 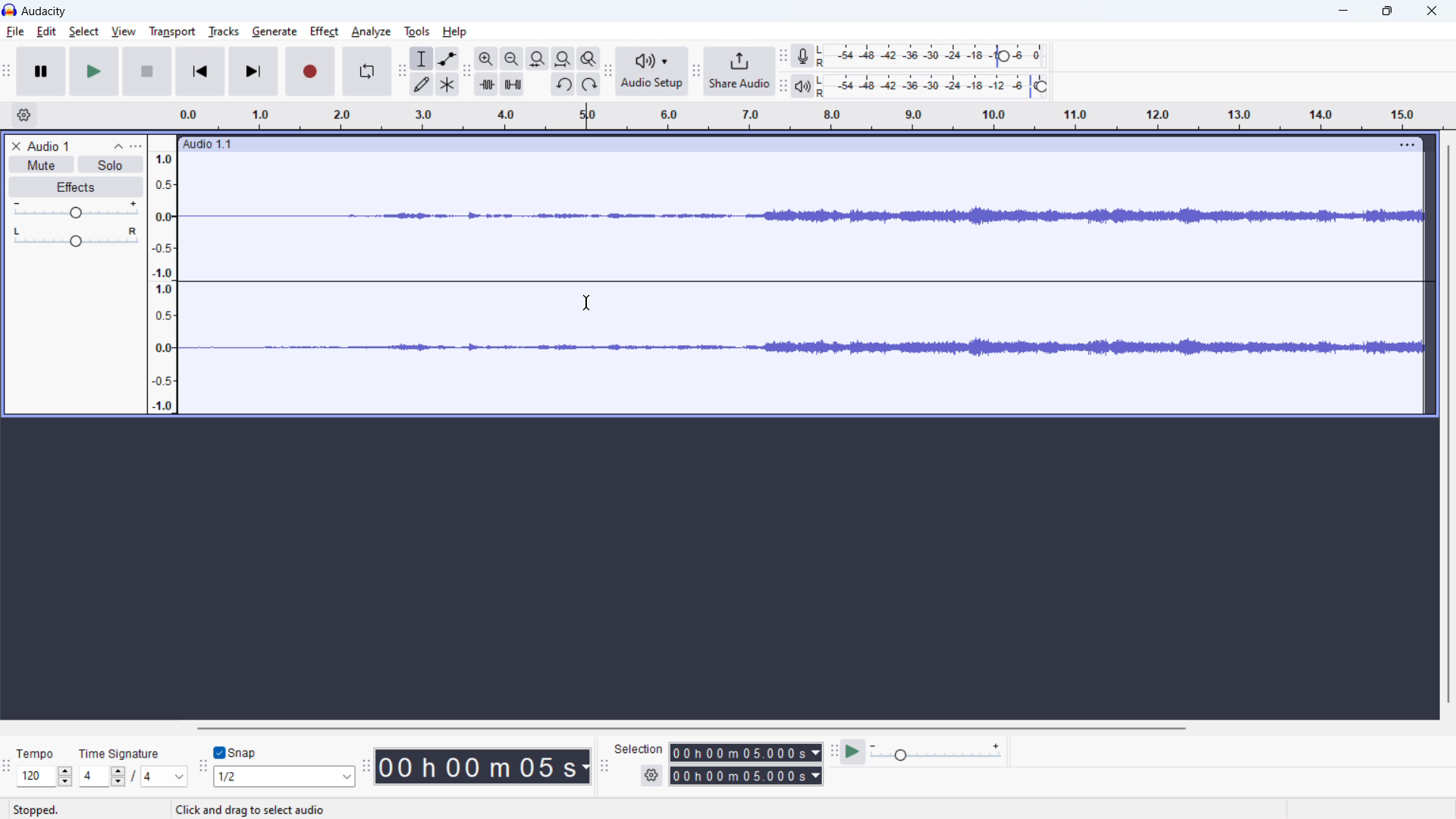 I want to click on Straight wave, so click(x=805, y=277).